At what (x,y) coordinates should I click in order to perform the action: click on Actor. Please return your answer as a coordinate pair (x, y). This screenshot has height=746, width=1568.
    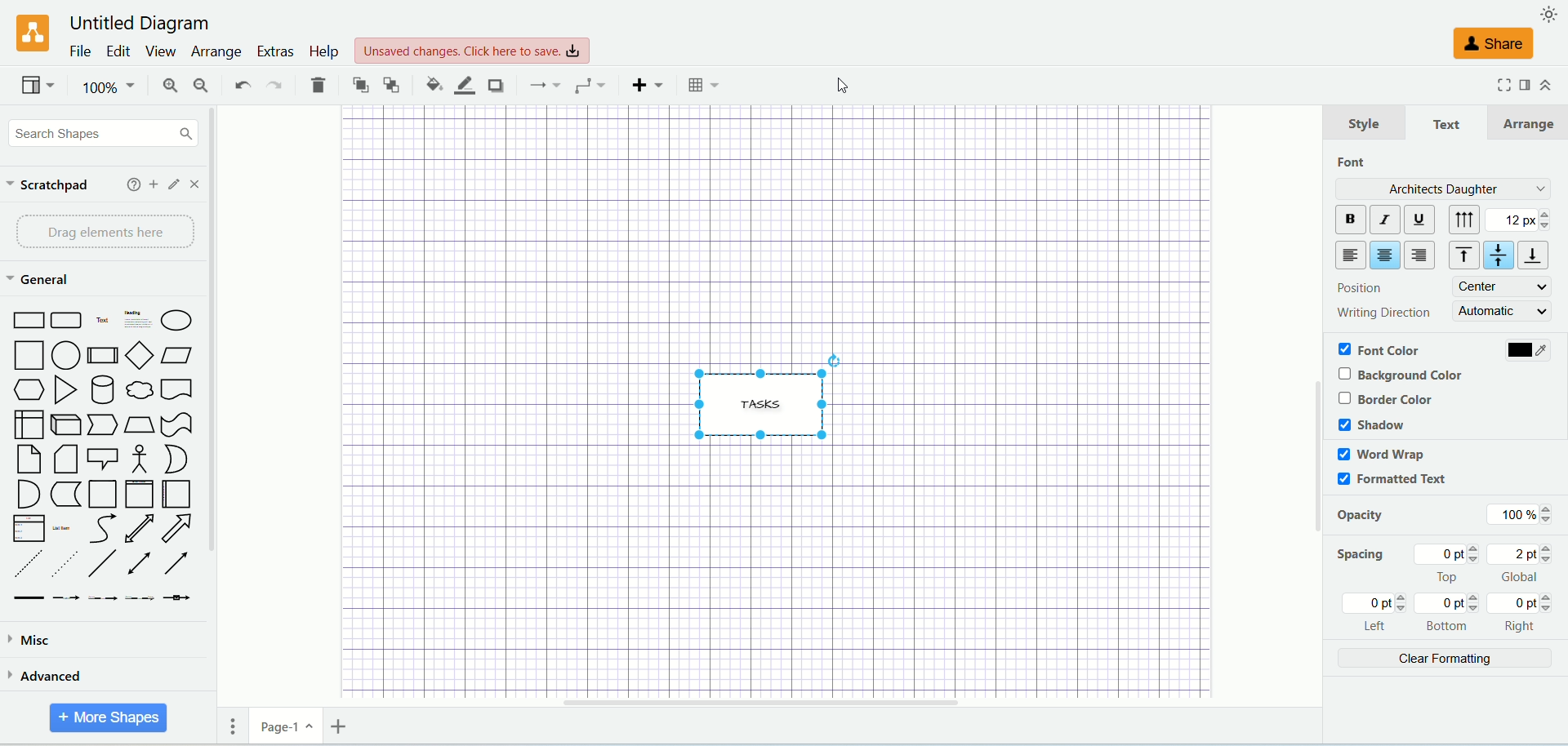
    Looking at the image, I should click on (137, 460).